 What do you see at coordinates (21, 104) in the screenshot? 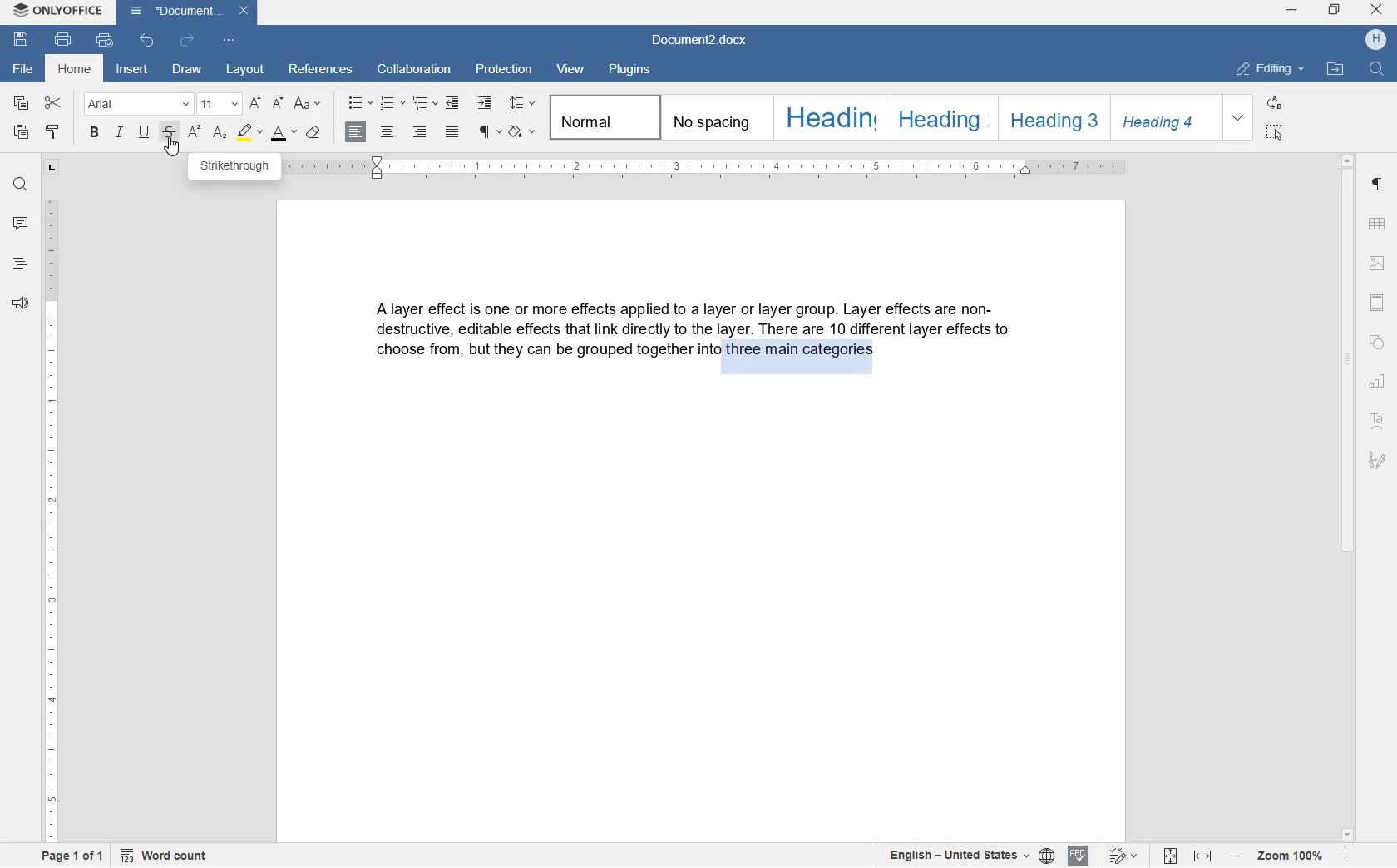
I see `copy` at bounding box center [21, 104].